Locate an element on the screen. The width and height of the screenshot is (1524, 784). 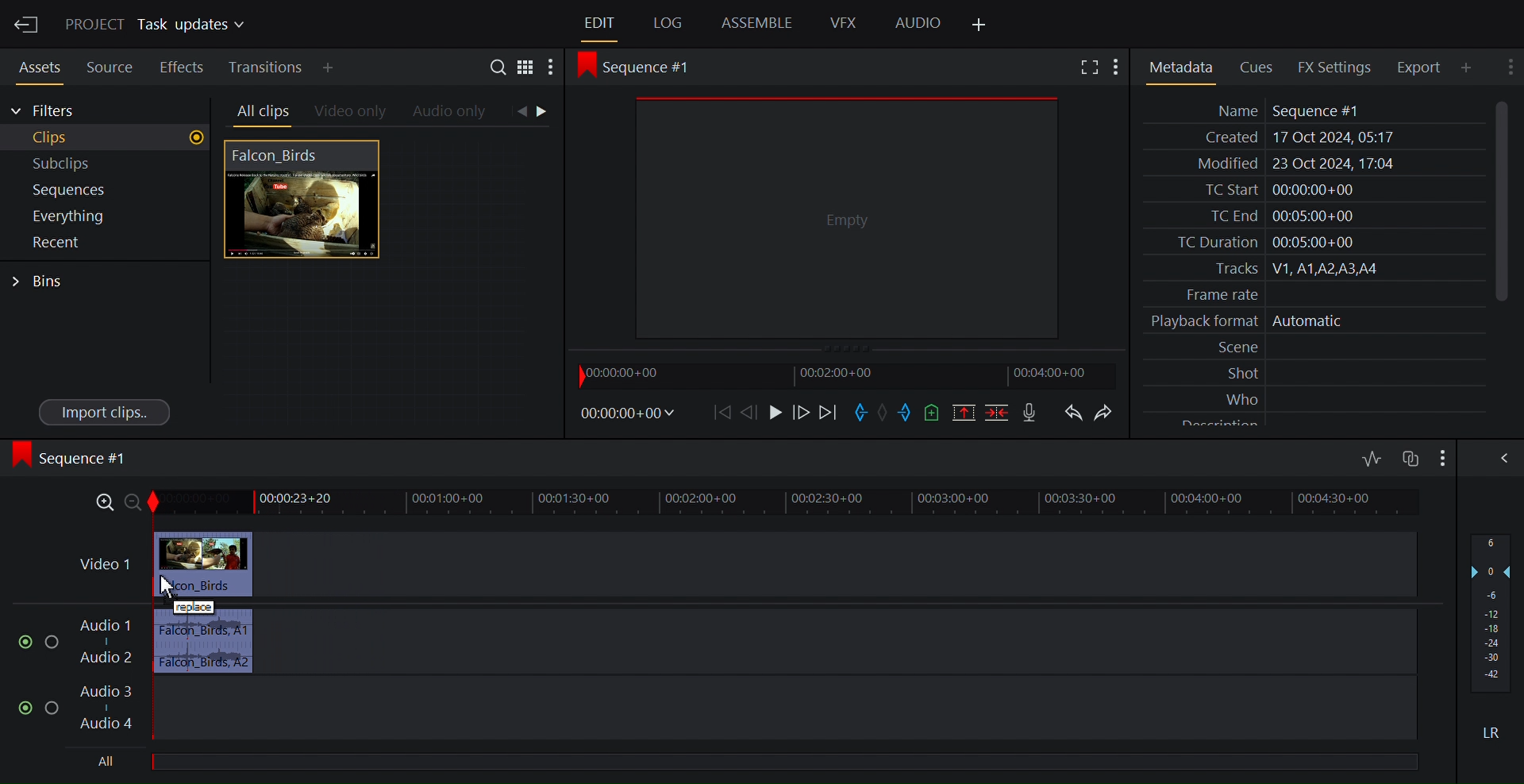
Solo this track is located at coordinates (53, 709).